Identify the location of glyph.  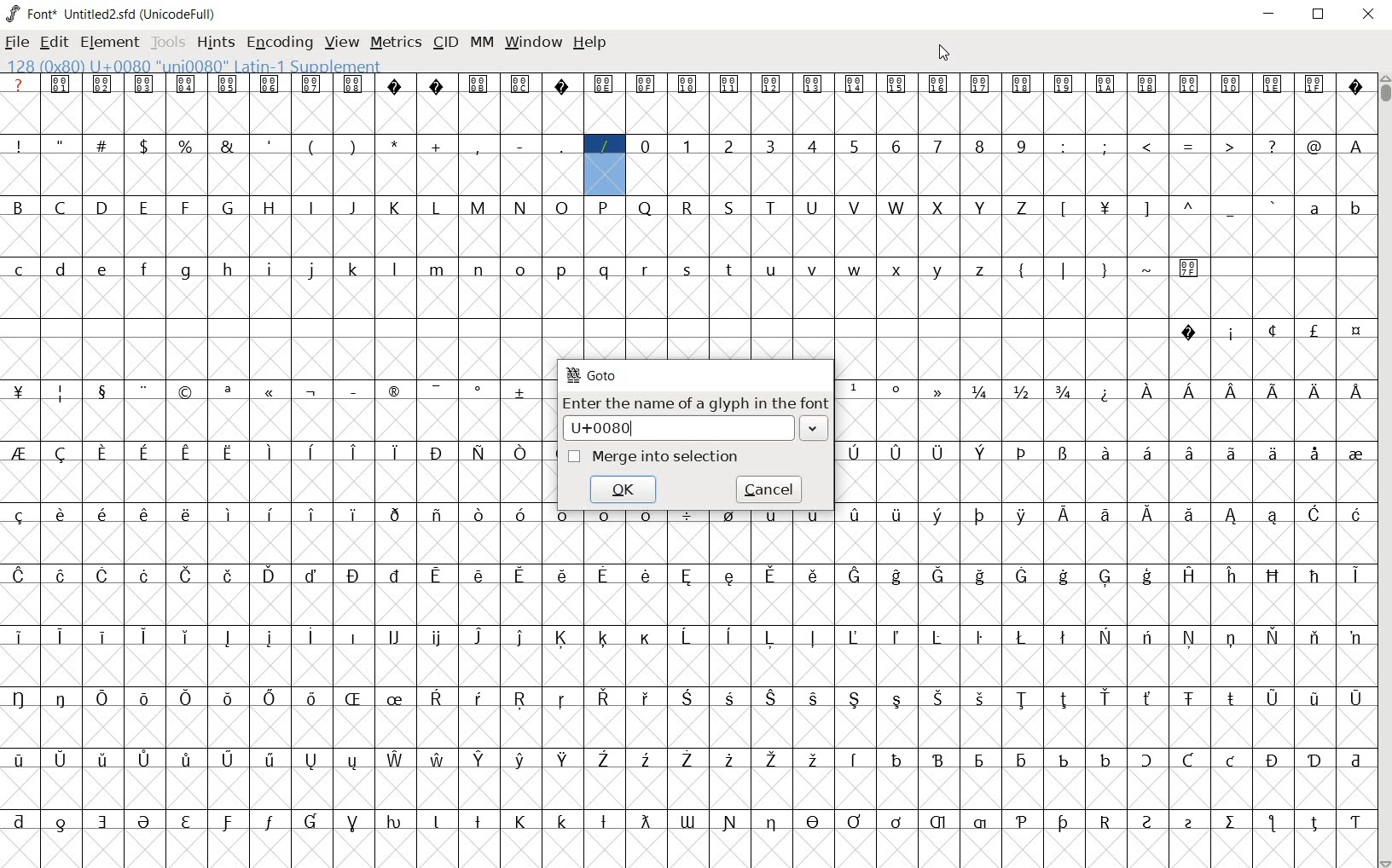
(18, 698).